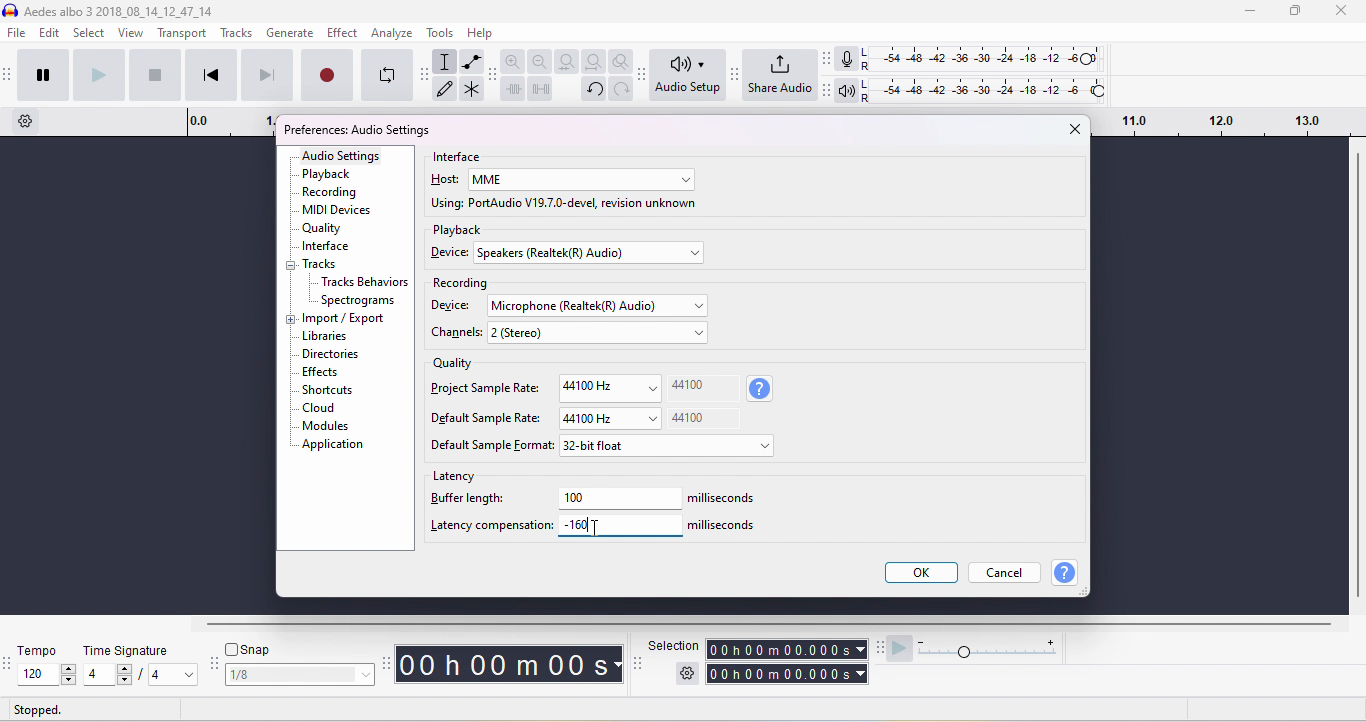 This screenshot has width=1366, height=722. Describe the element at coordinates (779, 674) in the screenshot. I see `total time` at that location.